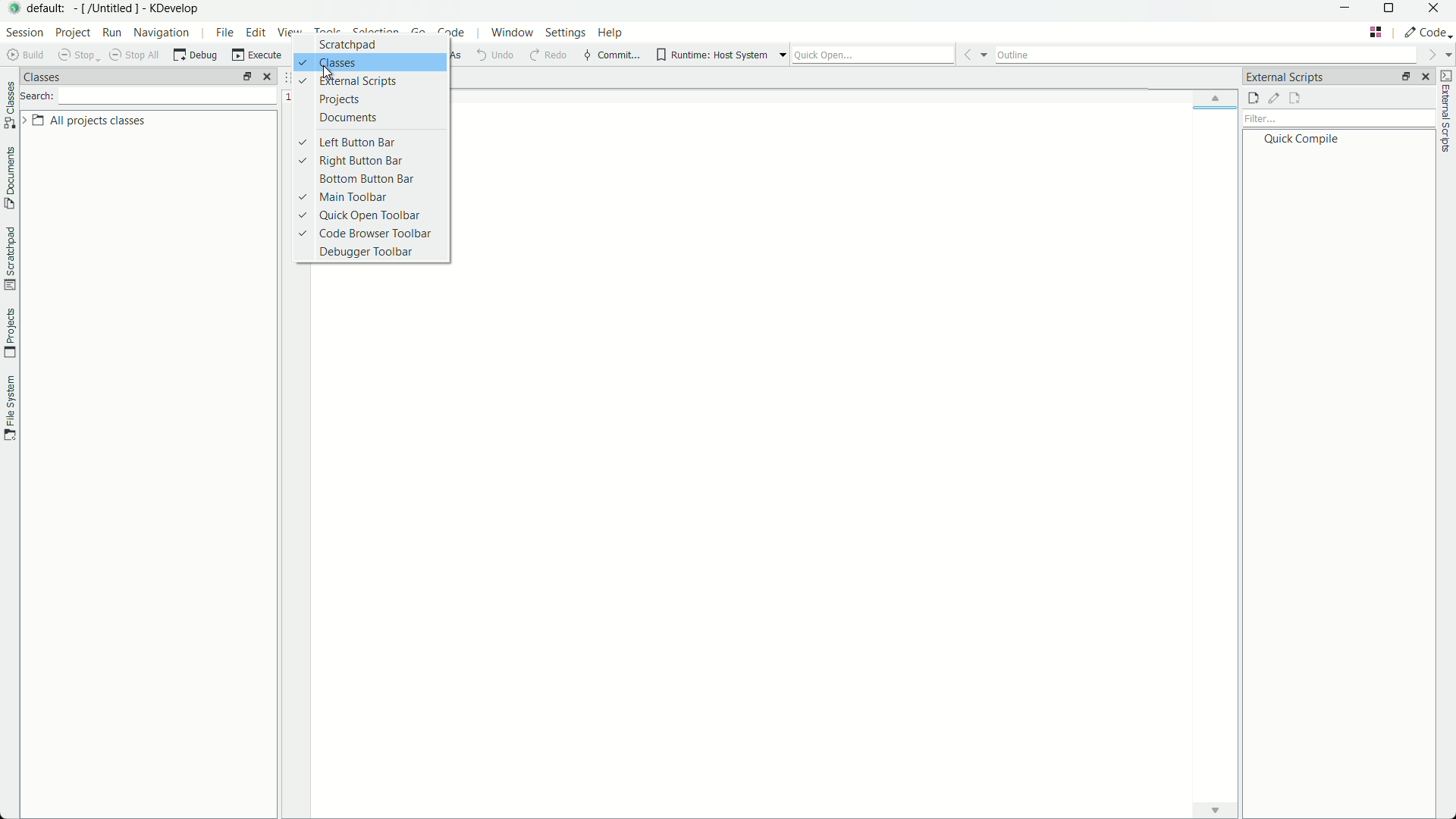 Image resolution: width=1456 pixels, height=819 pixels. What do you see at coordinates (9, 179) in the screenshot?
I see `document` at bounding box center [9, 179].